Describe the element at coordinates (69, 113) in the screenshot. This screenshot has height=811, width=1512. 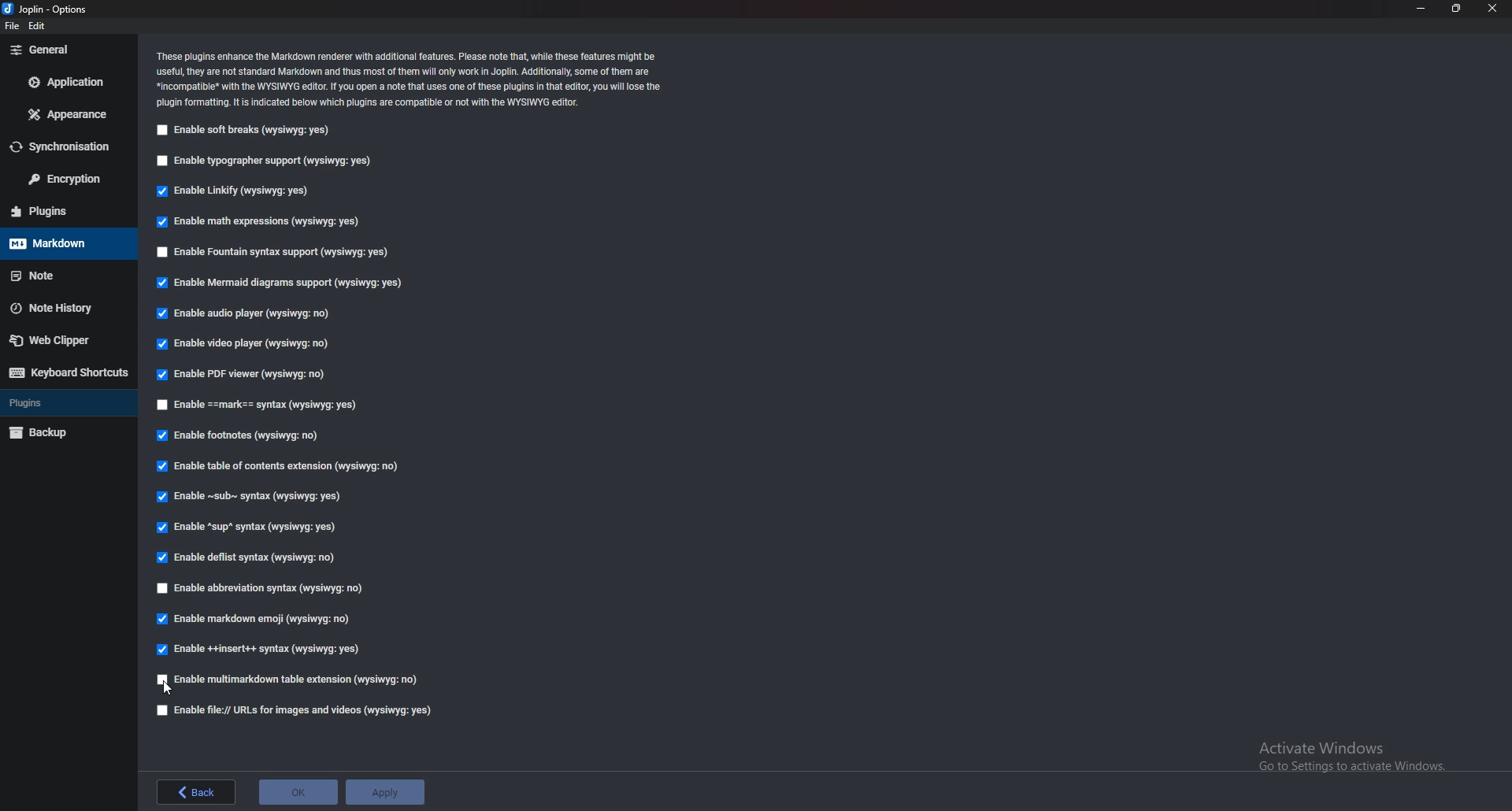
I see `Appearance` at that location.